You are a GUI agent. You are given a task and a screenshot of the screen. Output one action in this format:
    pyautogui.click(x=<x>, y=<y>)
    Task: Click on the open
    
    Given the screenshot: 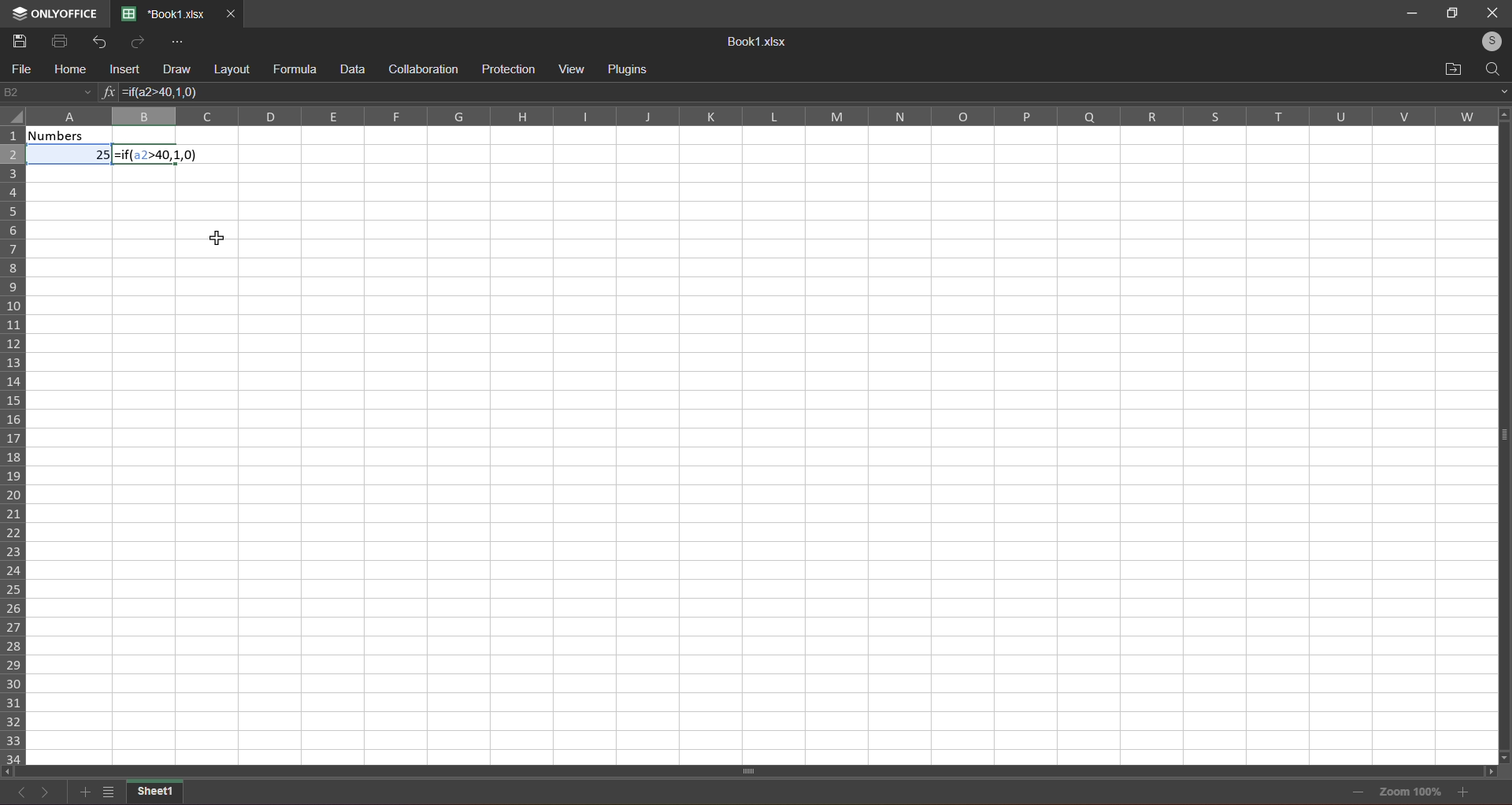 What is the action you would take?
    pyautogui.click(x=1451, y=67)
    